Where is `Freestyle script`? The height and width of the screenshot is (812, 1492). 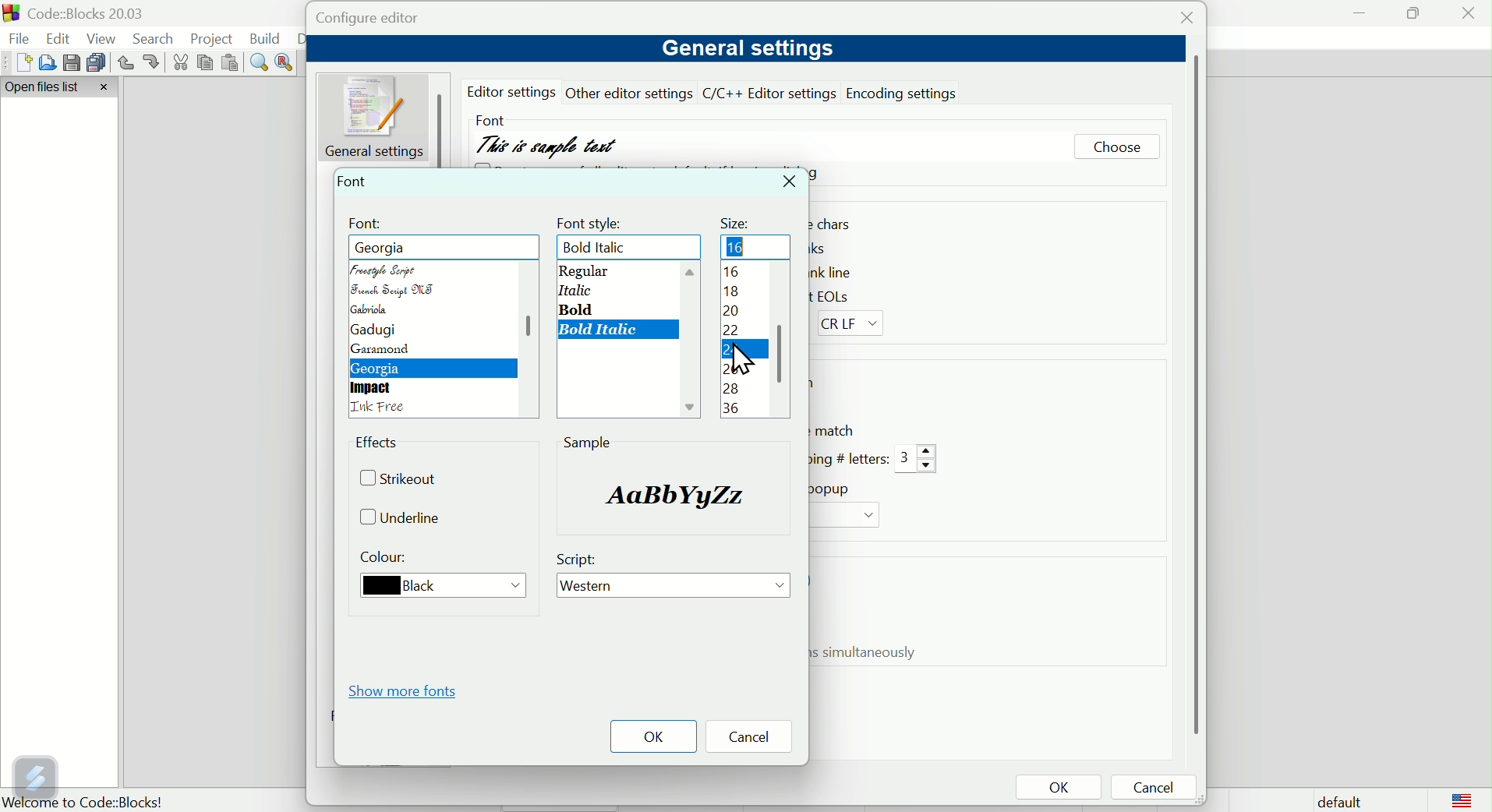
Freestyle script is located at coordinates (389, 269).